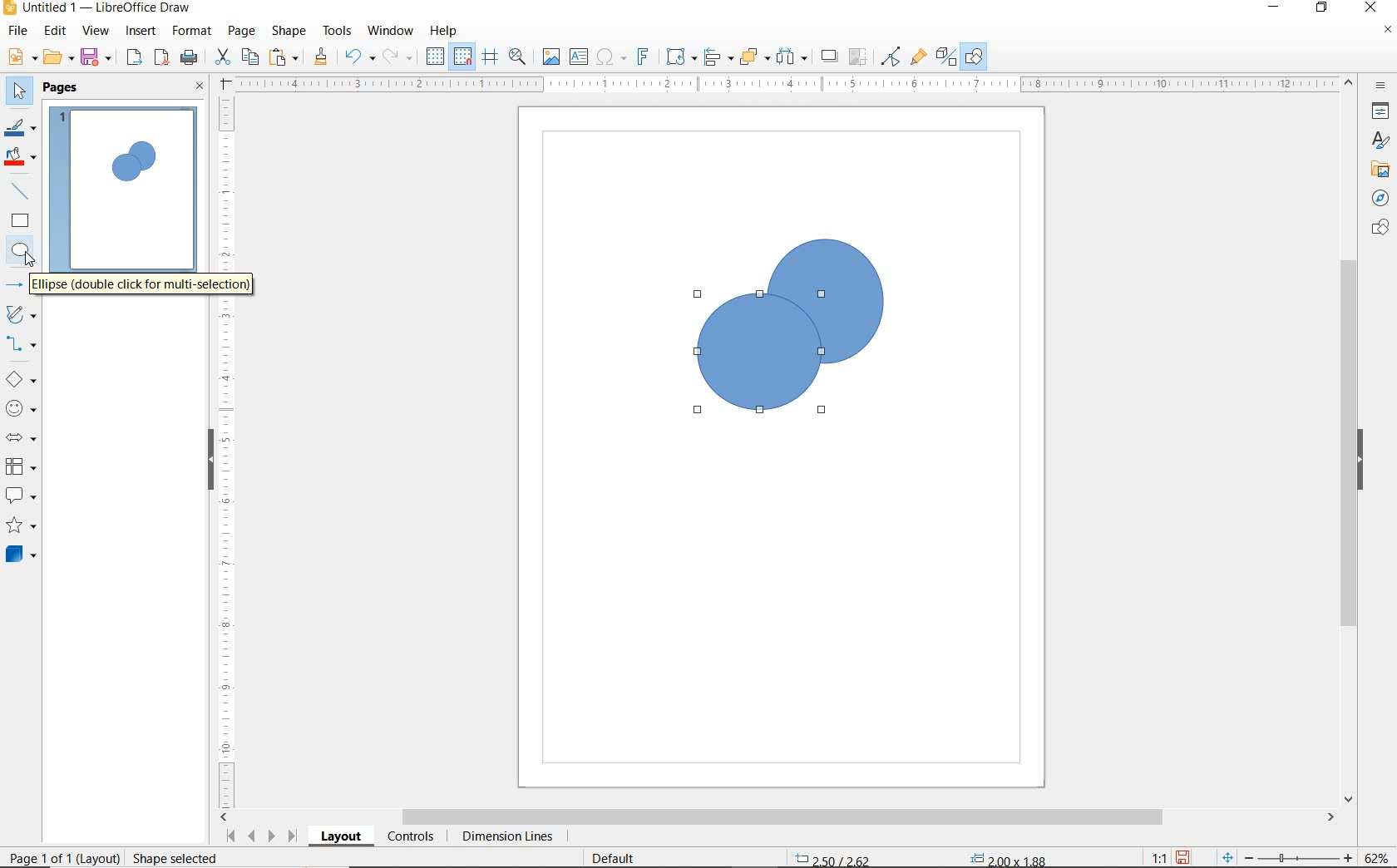  Describe the element at coordinates (62, 87) in the screenshot. I see `PAGES` at that location.